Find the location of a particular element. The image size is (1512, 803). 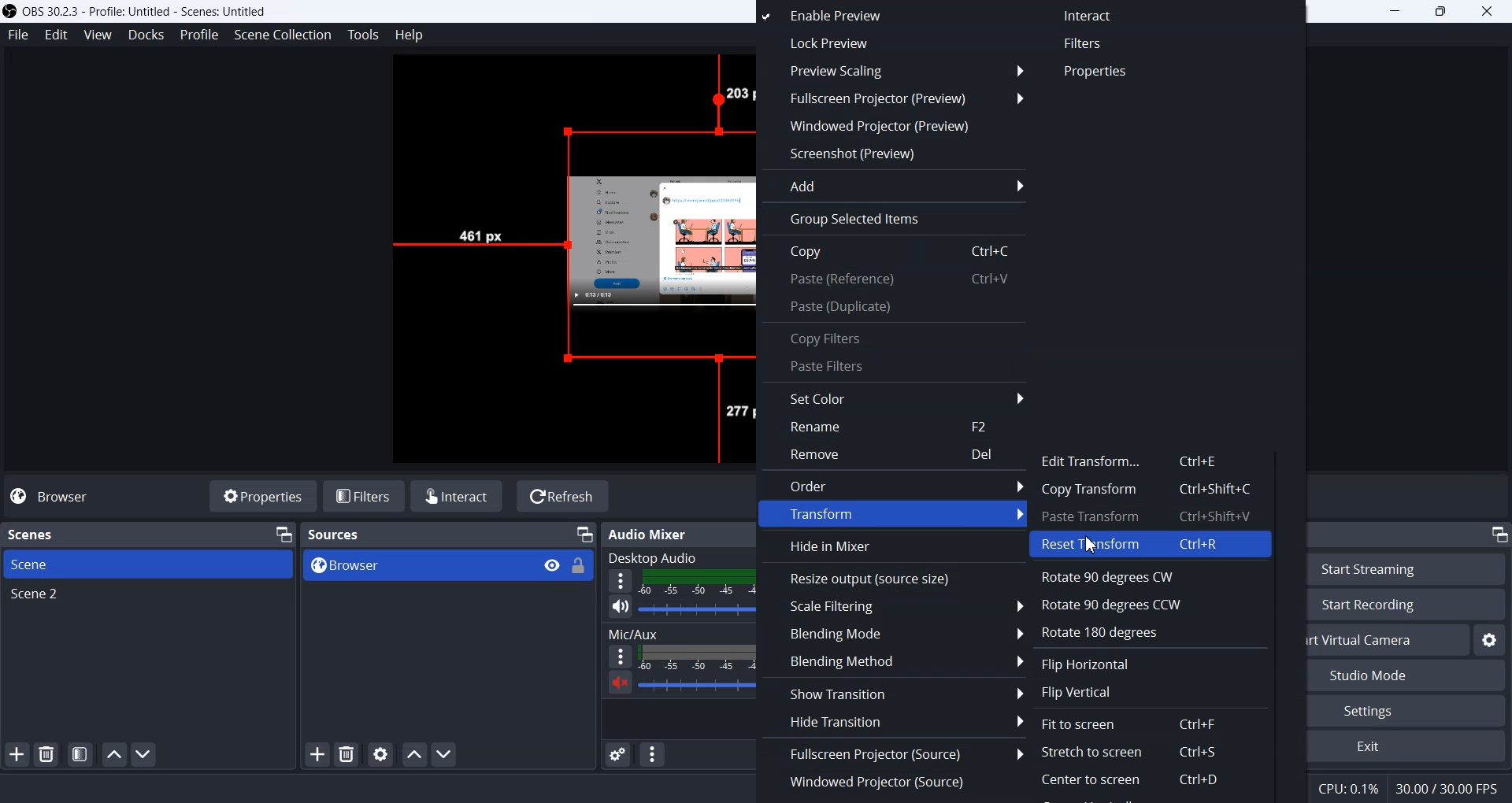

Windowed Projector(Source) is located at coordinates (895, 786).